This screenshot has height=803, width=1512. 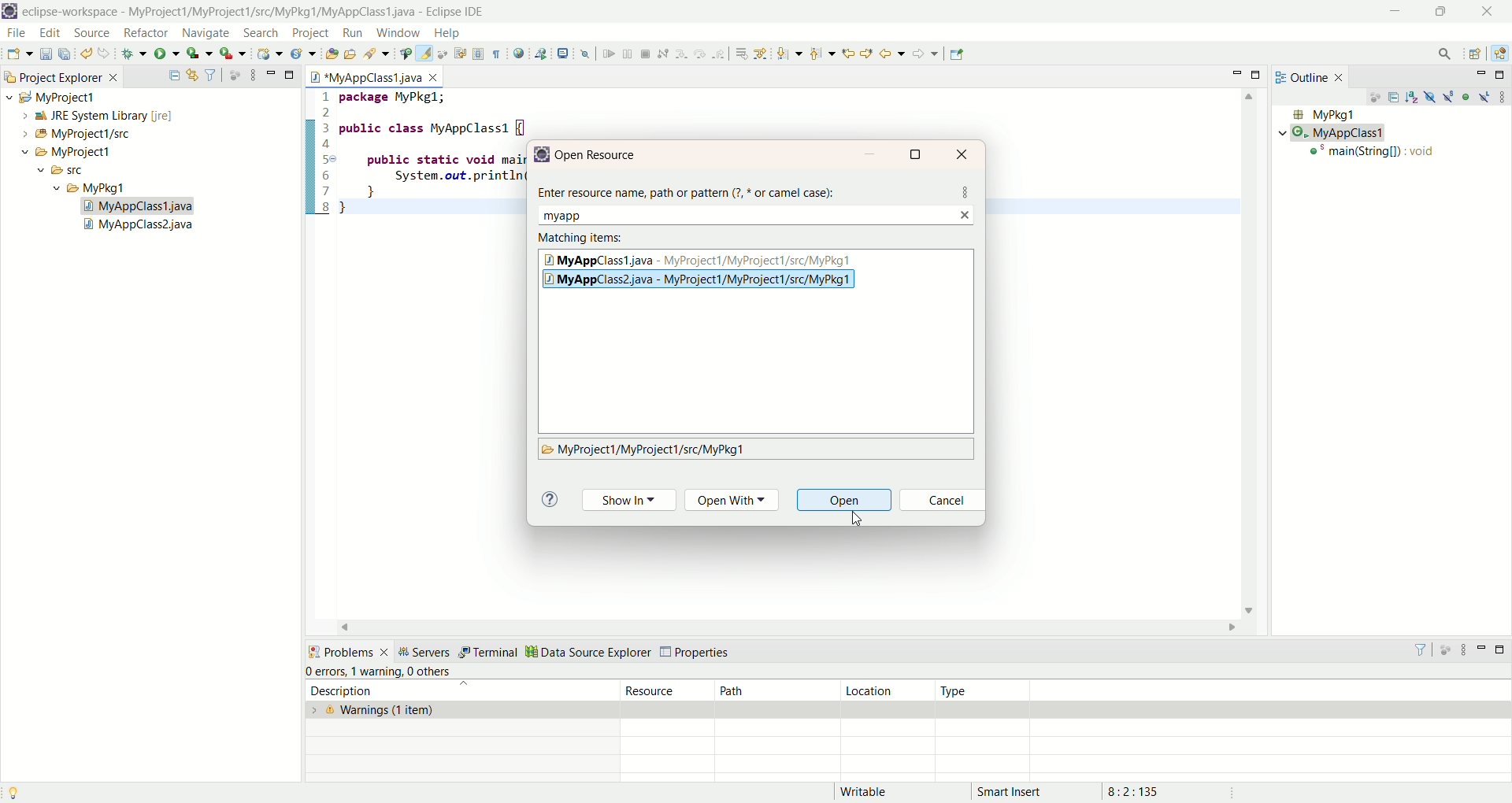 I want to click on close, so click(x=967, y=214).